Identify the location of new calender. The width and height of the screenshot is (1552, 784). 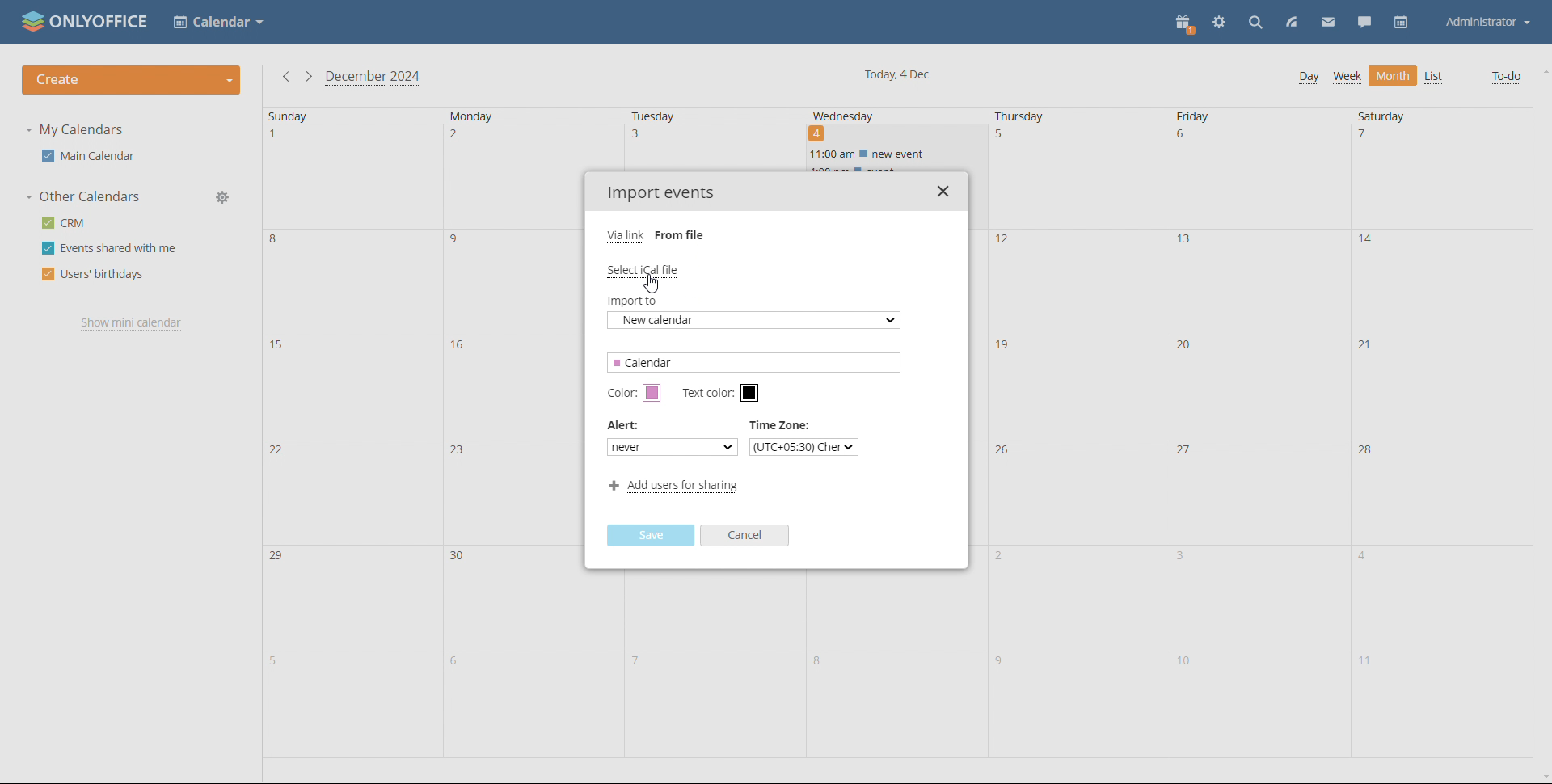
(755, 321).